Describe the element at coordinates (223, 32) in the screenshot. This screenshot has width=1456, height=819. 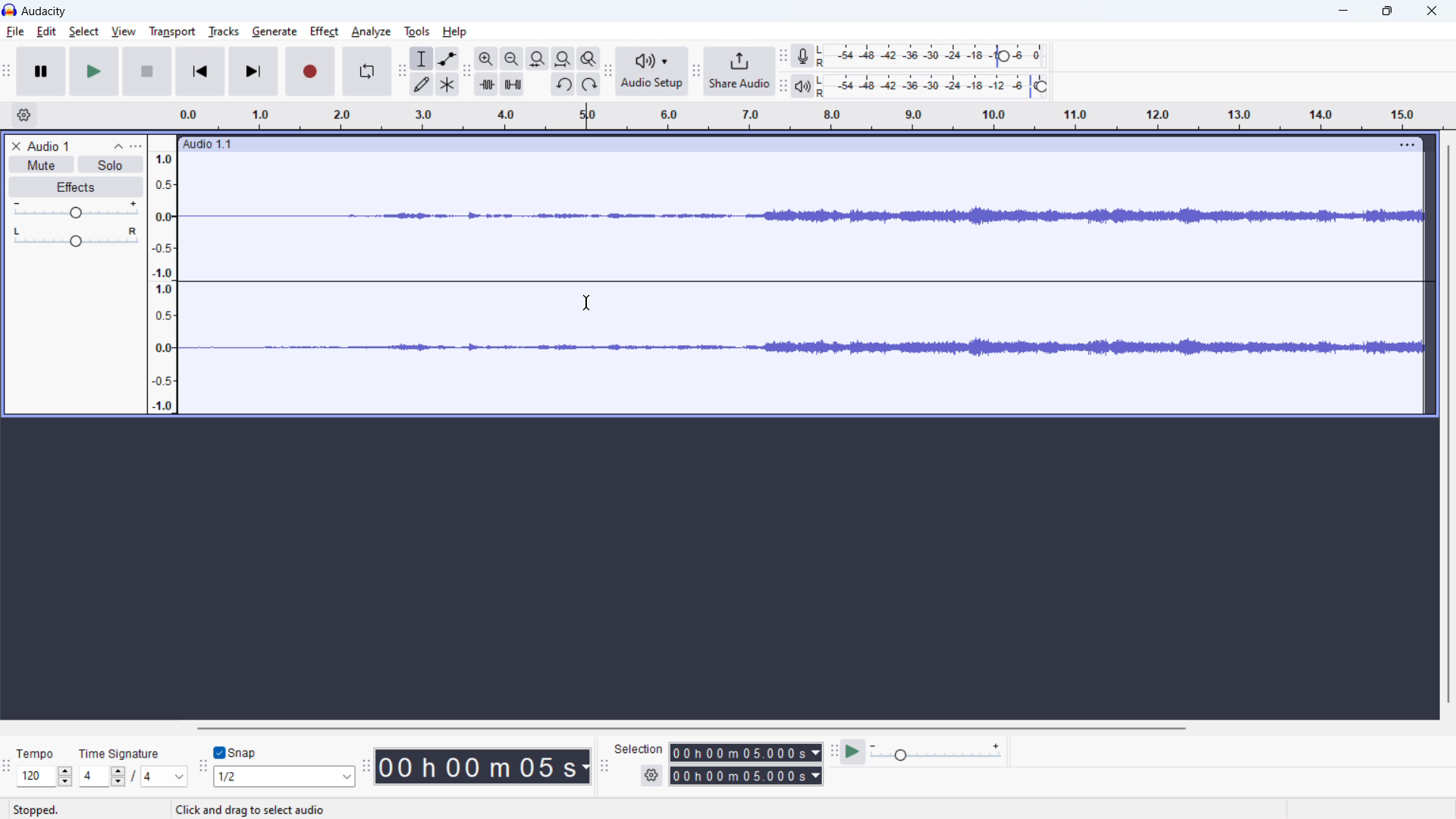
I see `tracks` at that location.